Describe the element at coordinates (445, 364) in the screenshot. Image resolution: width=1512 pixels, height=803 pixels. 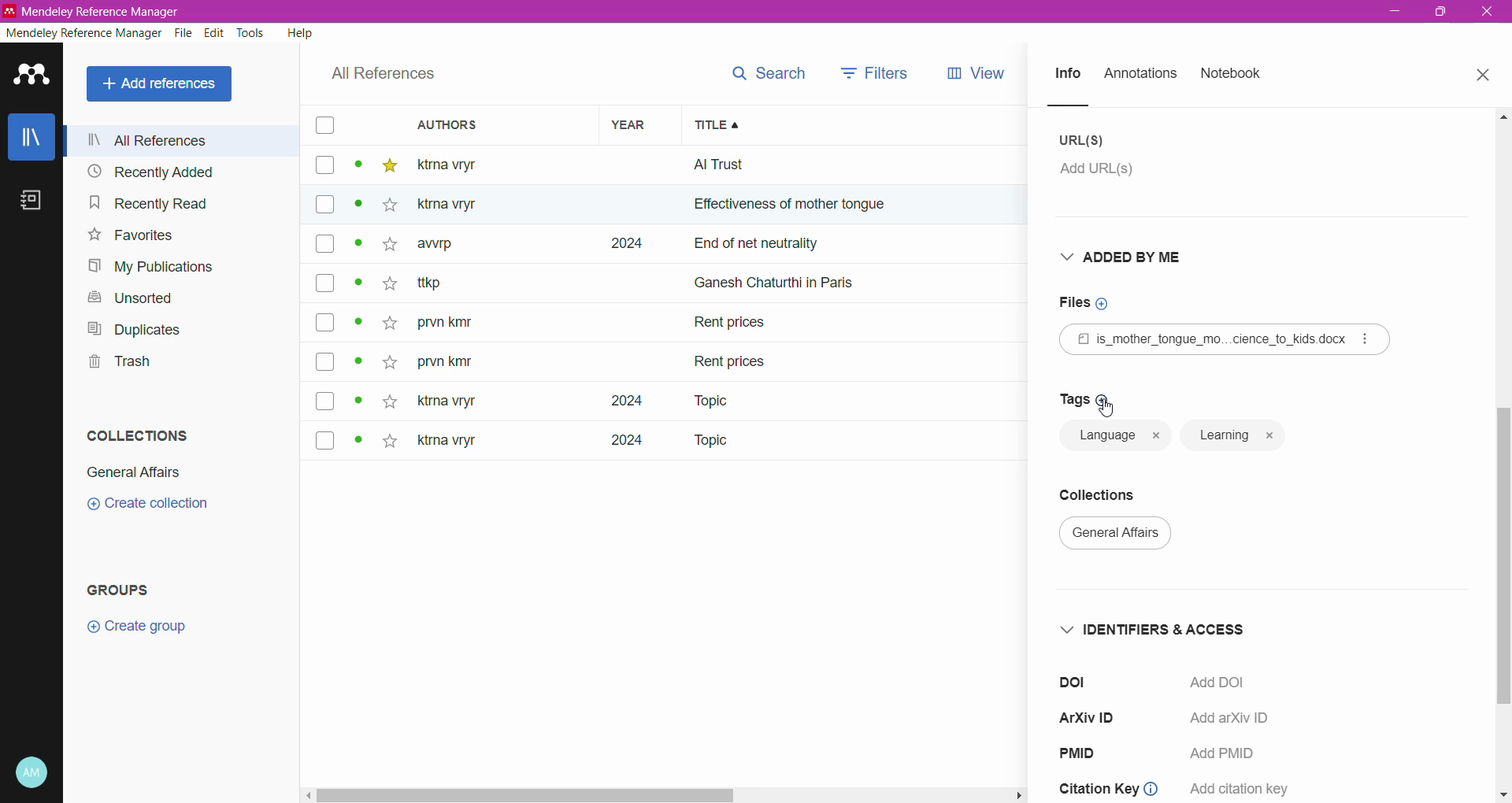
I see `prvn kity` at that location.